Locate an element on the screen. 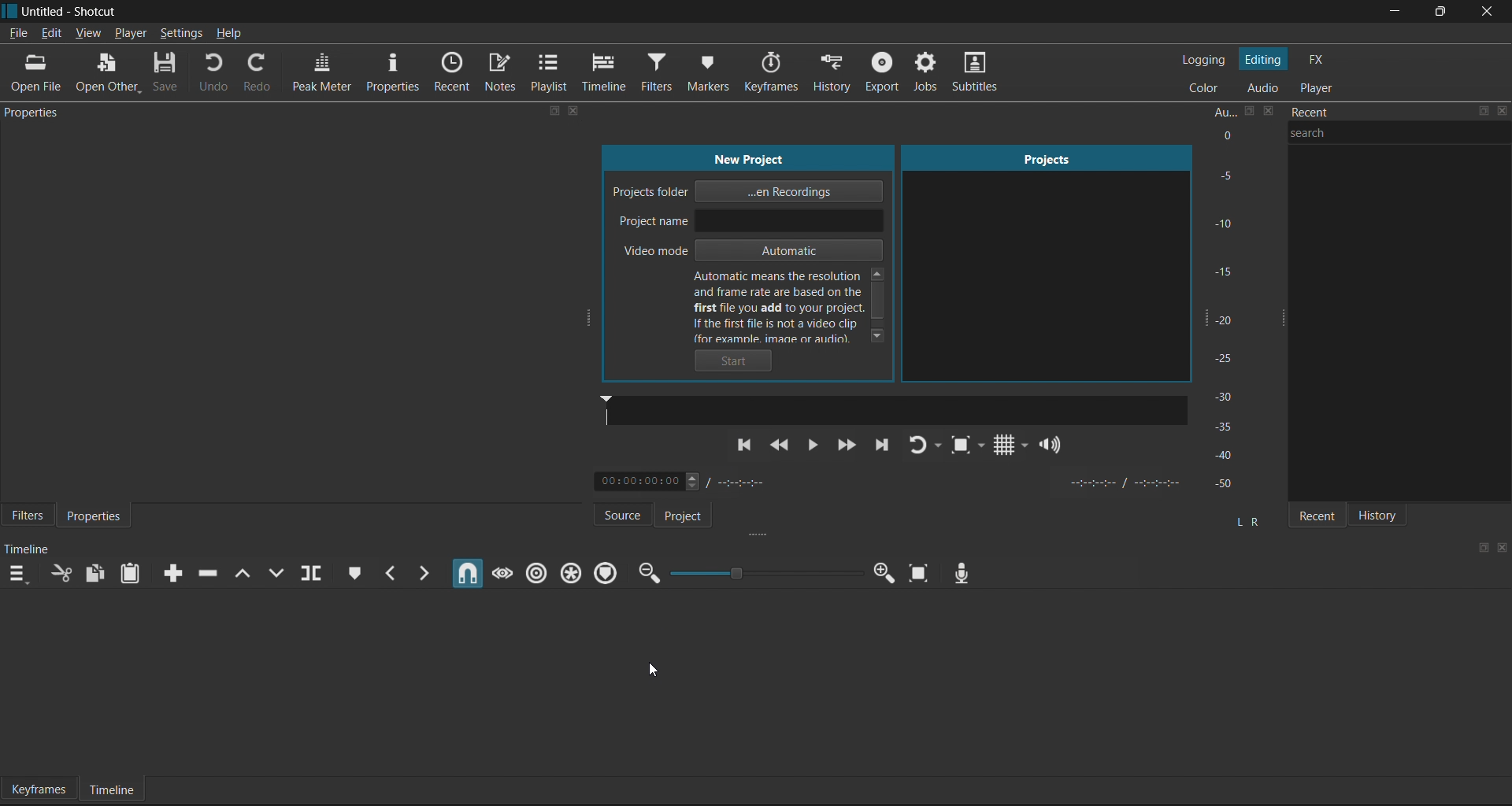  maximize is located at coordinates (555, 112).